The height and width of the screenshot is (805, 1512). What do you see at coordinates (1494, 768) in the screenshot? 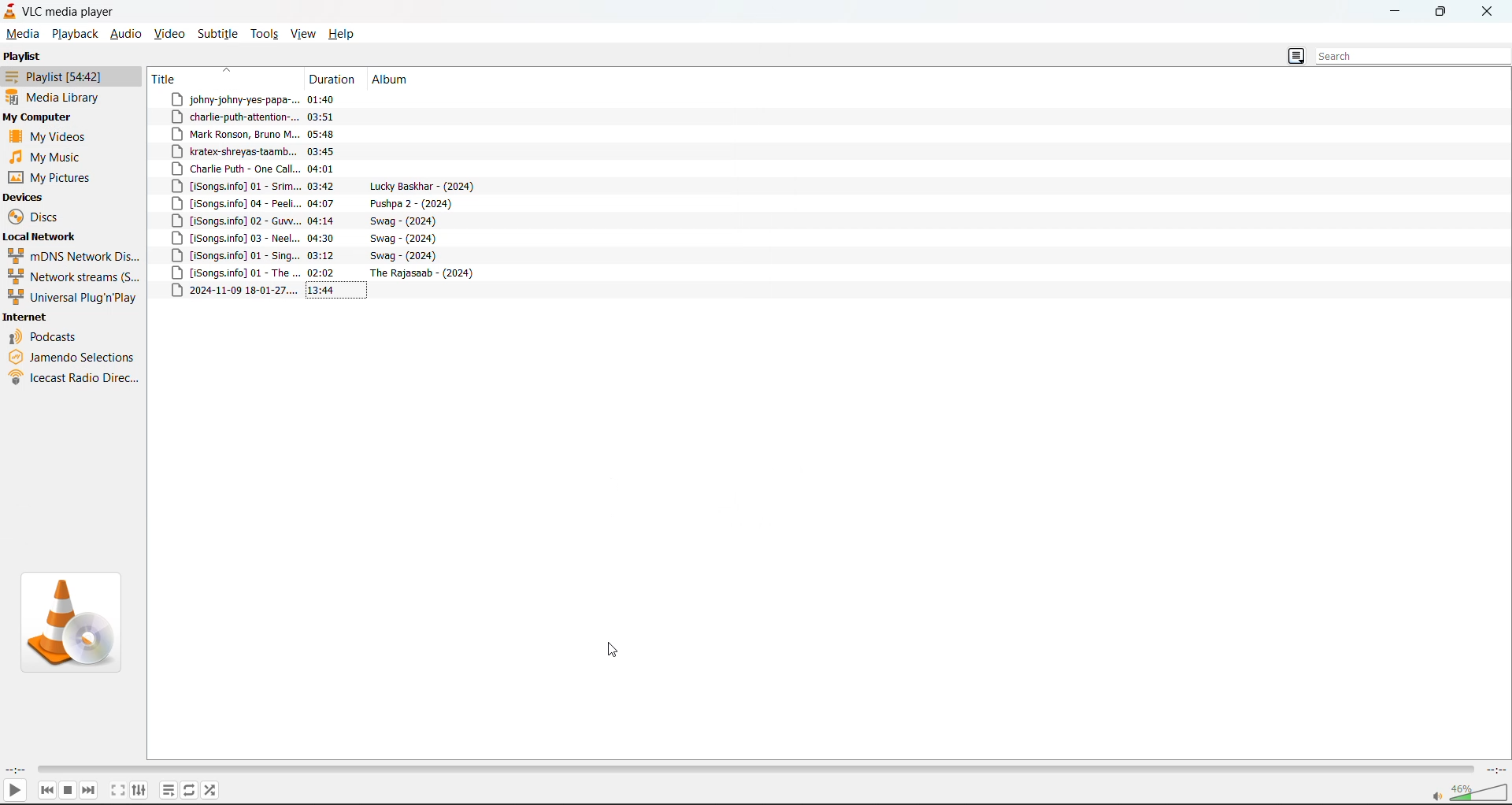
I see `total time` at bounding box center [1494, 768].